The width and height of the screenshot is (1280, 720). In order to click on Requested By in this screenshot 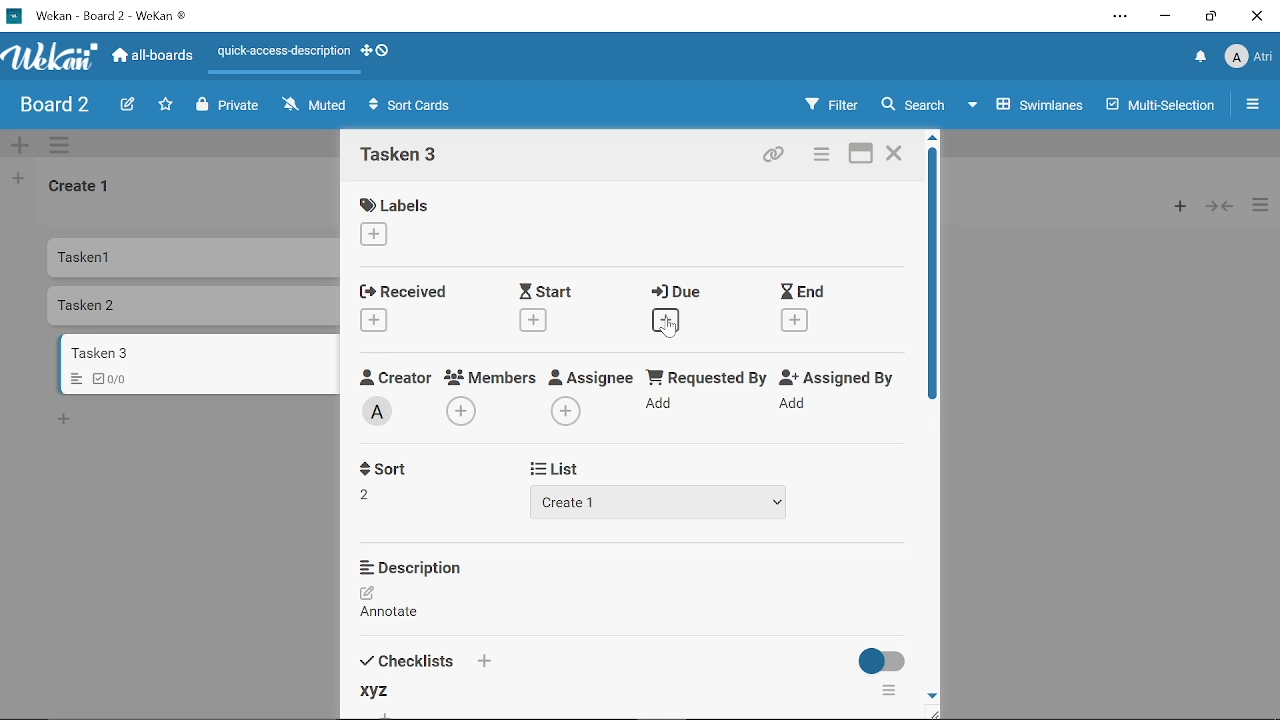, I will do `click(703, 375)`.